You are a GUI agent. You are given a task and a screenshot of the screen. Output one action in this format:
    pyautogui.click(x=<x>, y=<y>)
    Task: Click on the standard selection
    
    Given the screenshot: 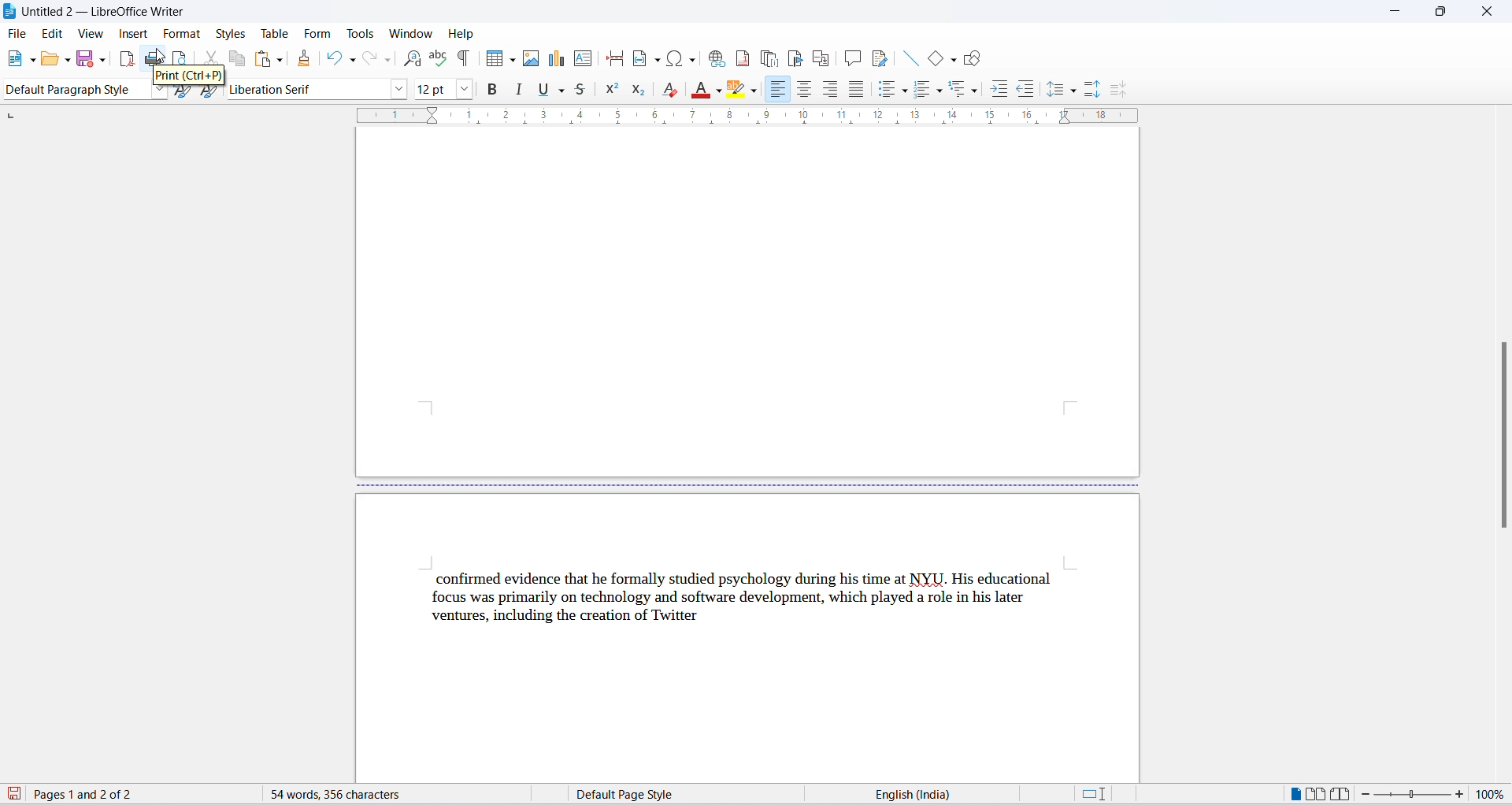 What is the action you would take?
    pyautogui.click(x=1094, y=794)
    